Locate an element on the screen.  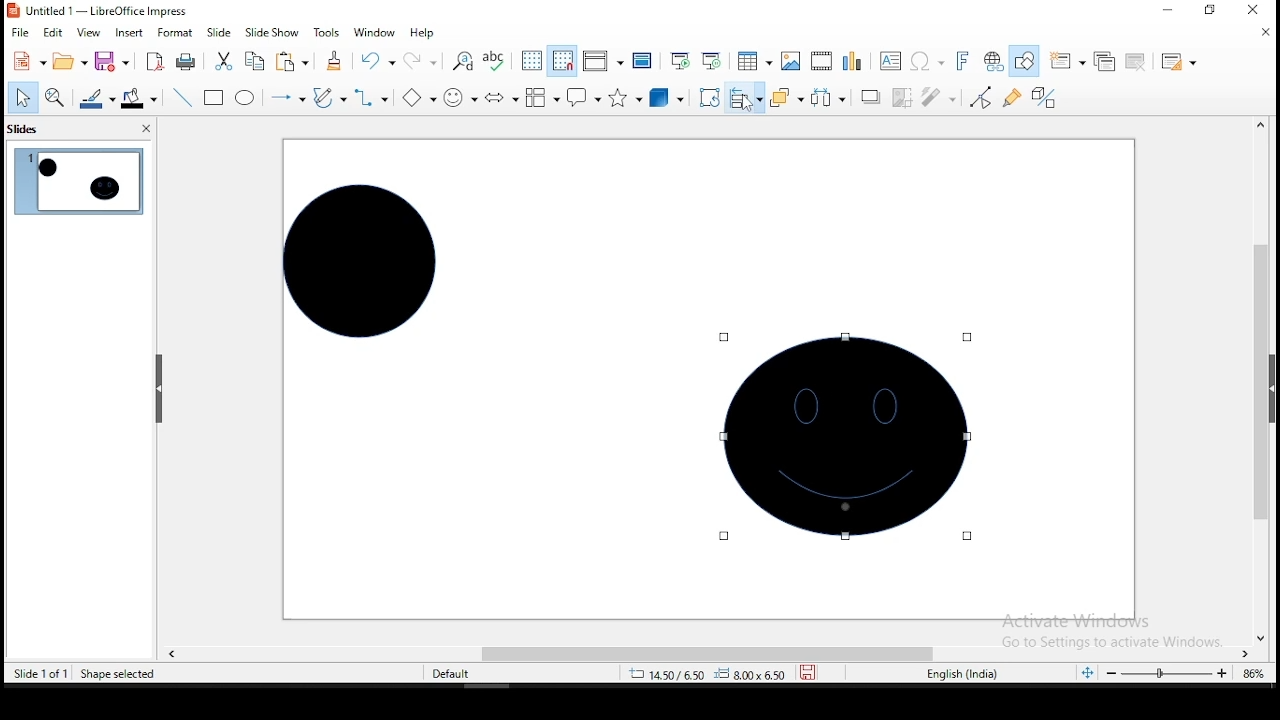
text box is located at coordinates (892, 60).